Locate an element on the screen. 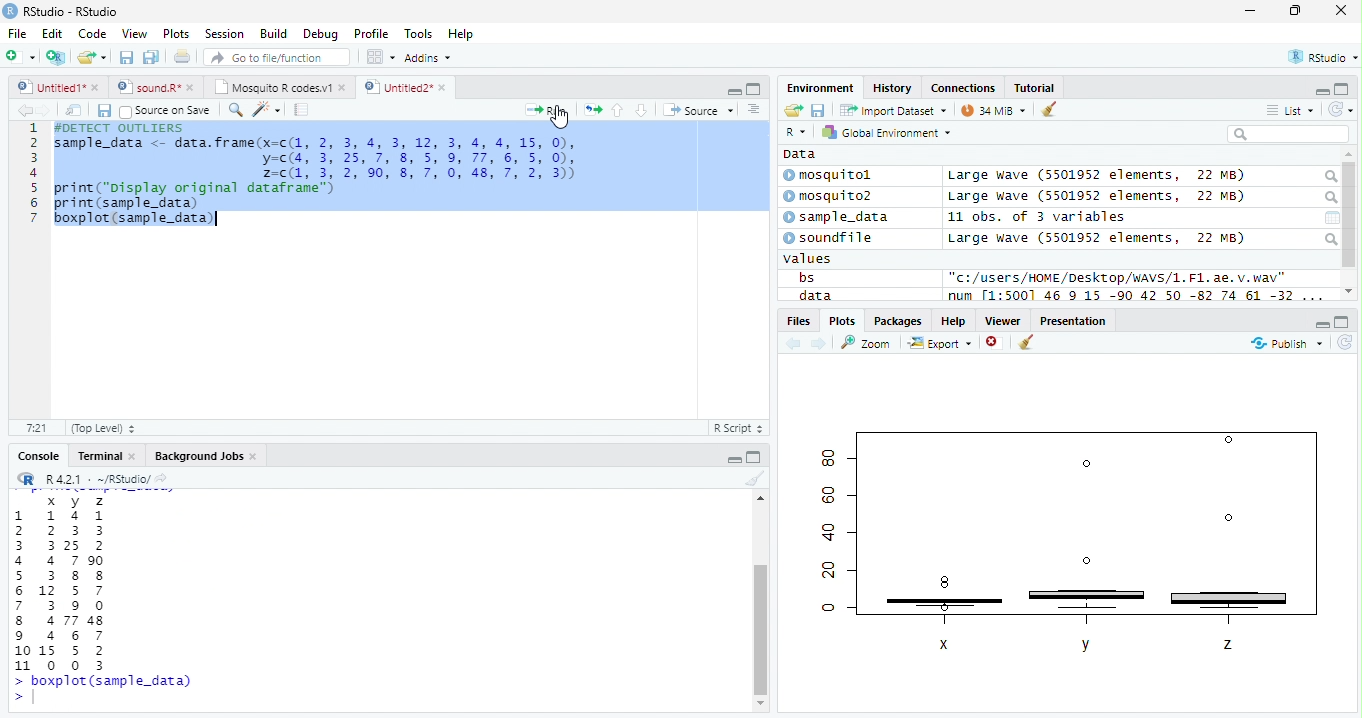 The height and width of the screenshot is (718, 1362). minimize is located at coordinates (734, 90).